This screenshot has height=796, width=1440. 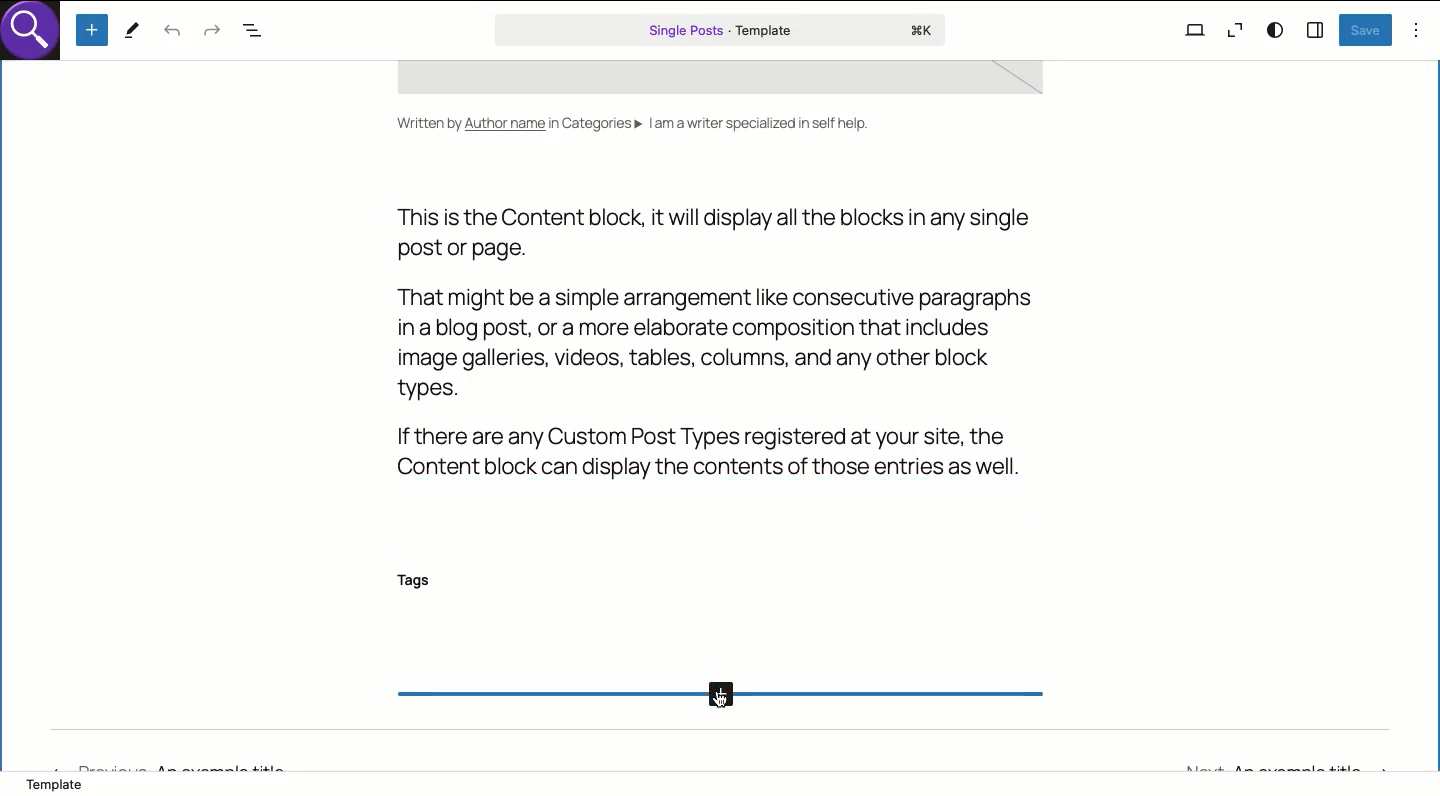 I want to click on Tools, so click(x=132, y=32).